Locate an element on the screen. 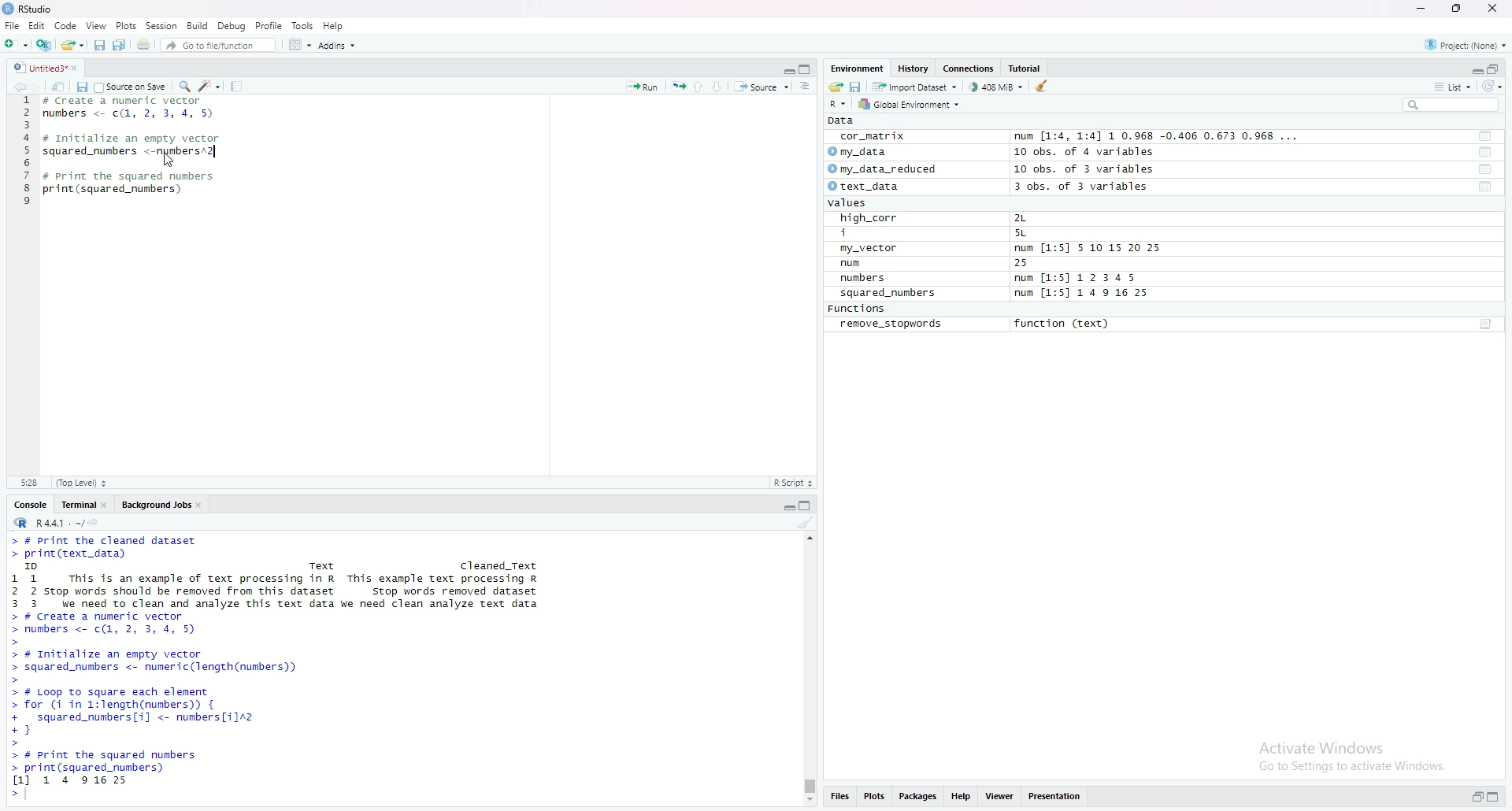 This screenshot has width=1512, height=811. List is located at coordinates (1453, 86).